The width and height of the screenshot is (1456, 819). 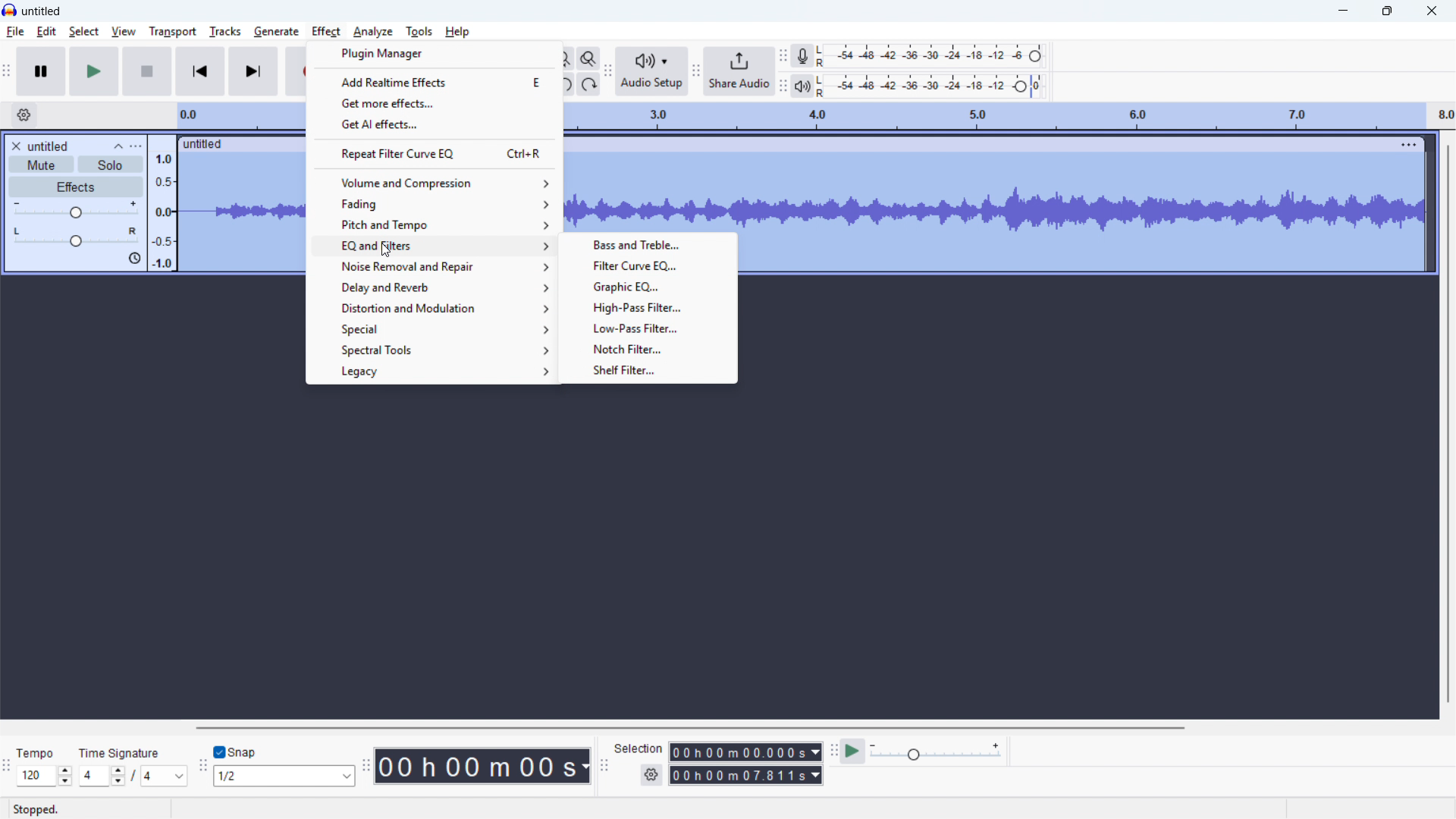 What do you see at coordinates (15, 146) in the screenshot?
I see `remove track` at bounding box center [15, 146].